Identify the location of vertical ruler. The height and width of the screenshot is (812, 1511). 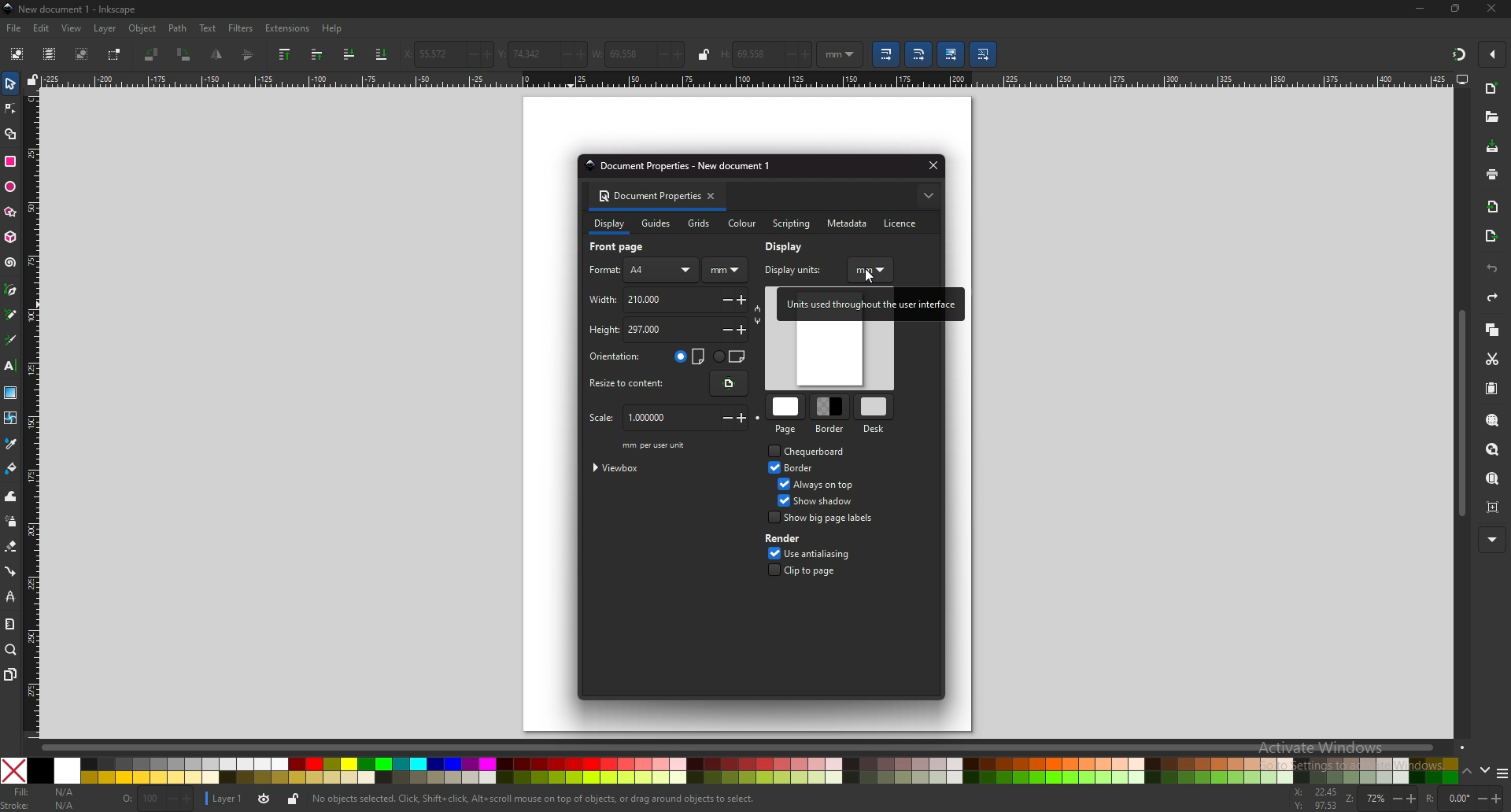
(31, 412).